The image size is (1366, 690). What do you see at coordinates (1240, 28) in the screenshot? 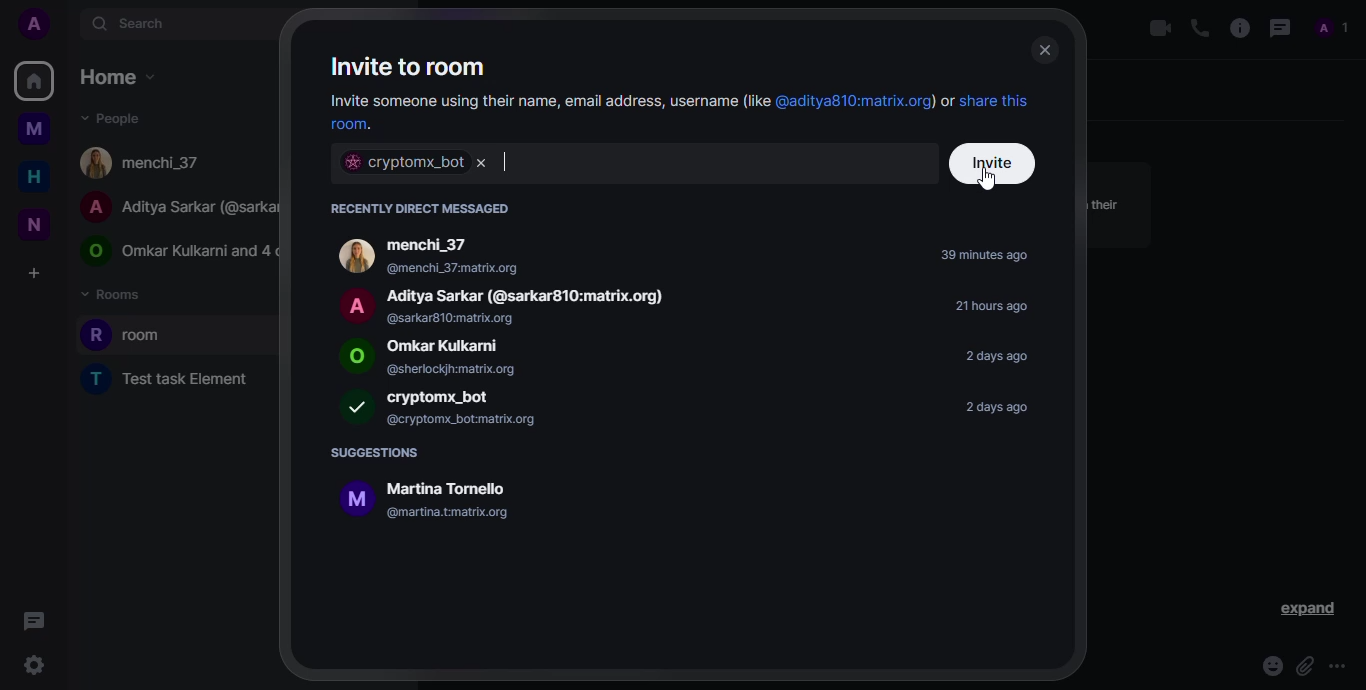
I see `info` at bounding box center [1240, 28].